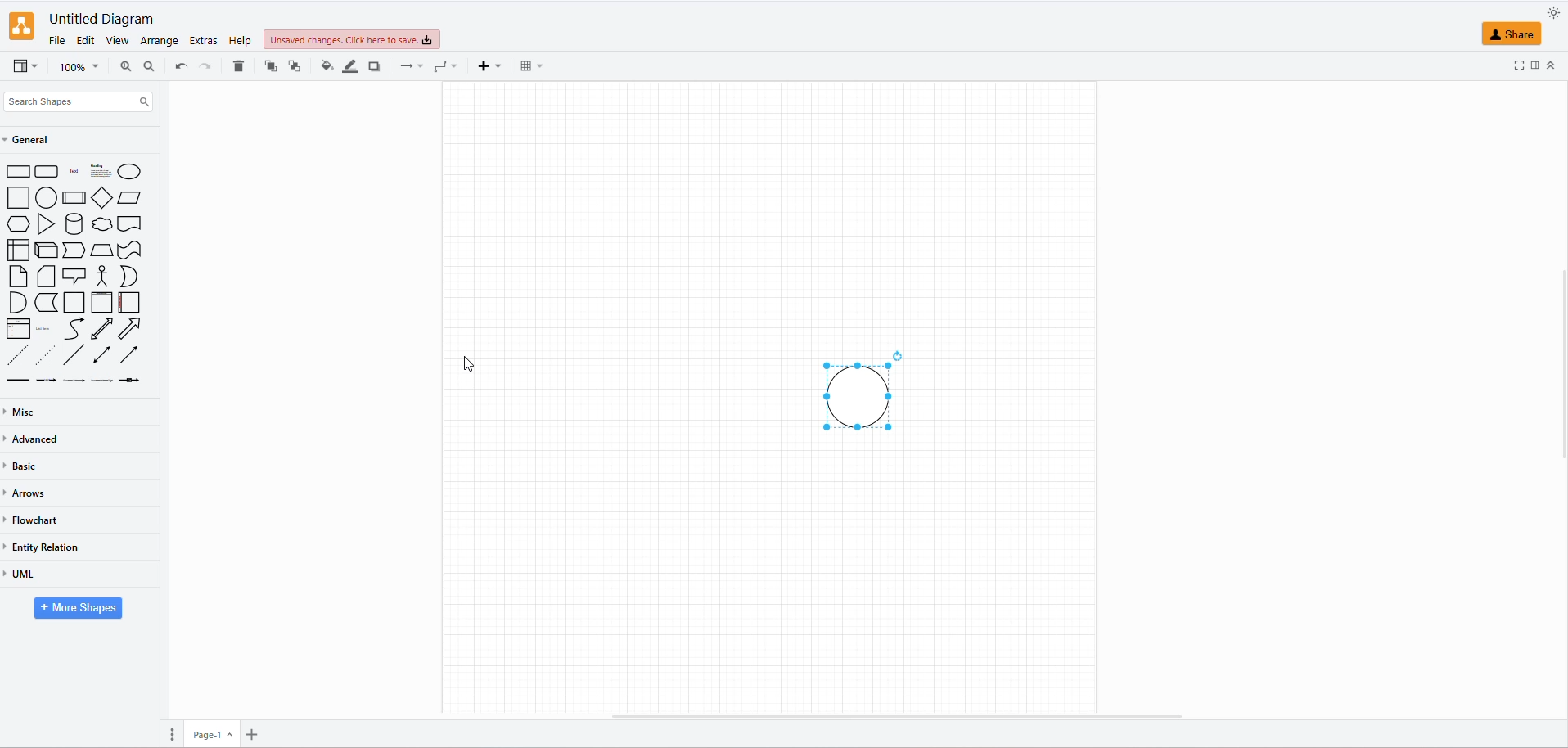 The height and width of the screenshot is (748, 1568). What do you see at coordinates (349, 66) in the screenshot?
I see `LINE COLOR` at bounding box center [349, 66].